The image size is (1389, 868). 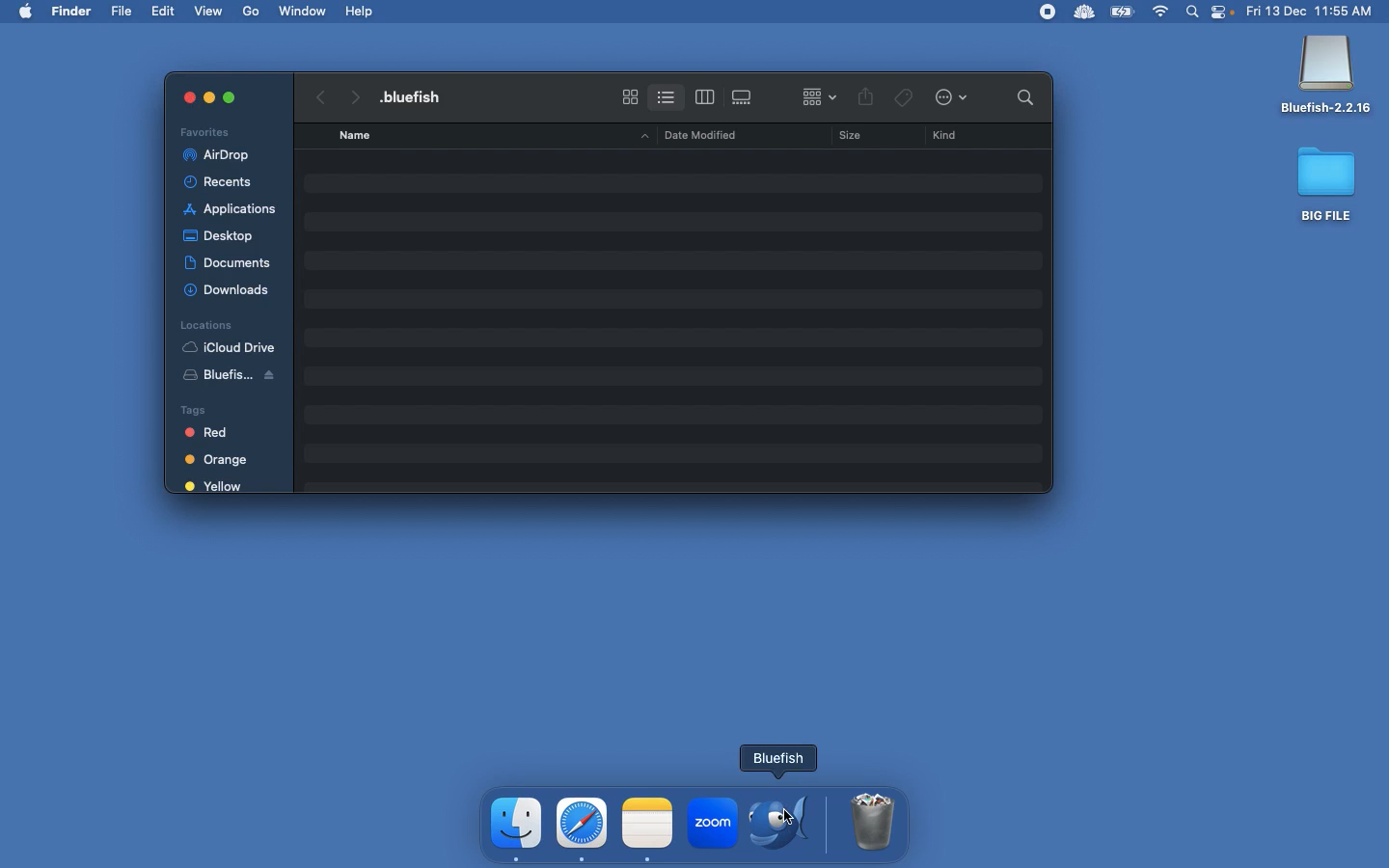 What do you see at coordinates (955, 98) in the screenshot?
I see `options` at bounding box center [955, 98].